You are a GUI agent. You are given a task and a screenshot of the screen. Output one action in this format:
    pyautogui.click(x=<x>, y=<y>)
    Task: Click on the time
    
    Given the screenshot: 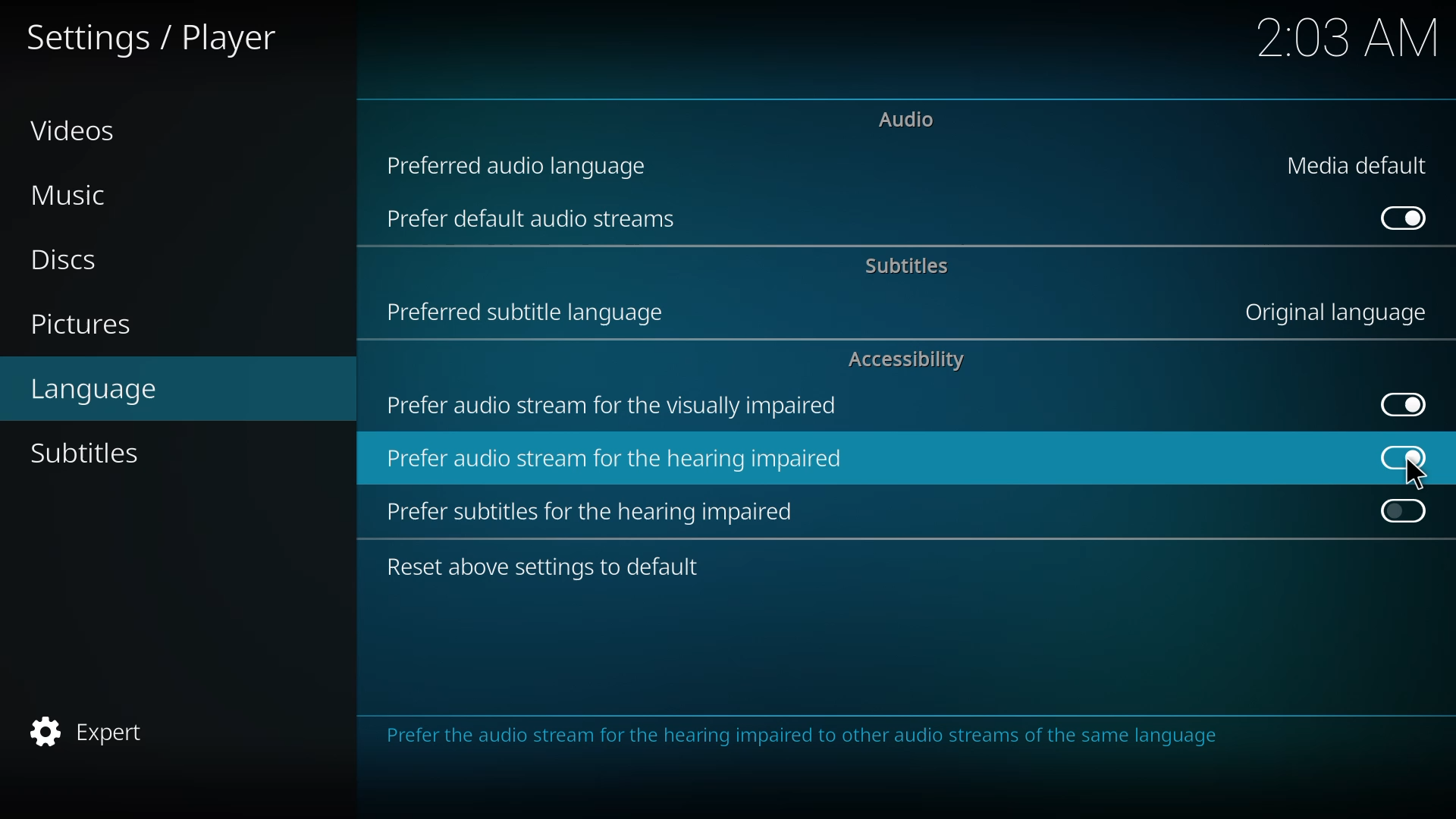 What is the action you would take?
    pyautogui.click(x=1348, y=38)
    